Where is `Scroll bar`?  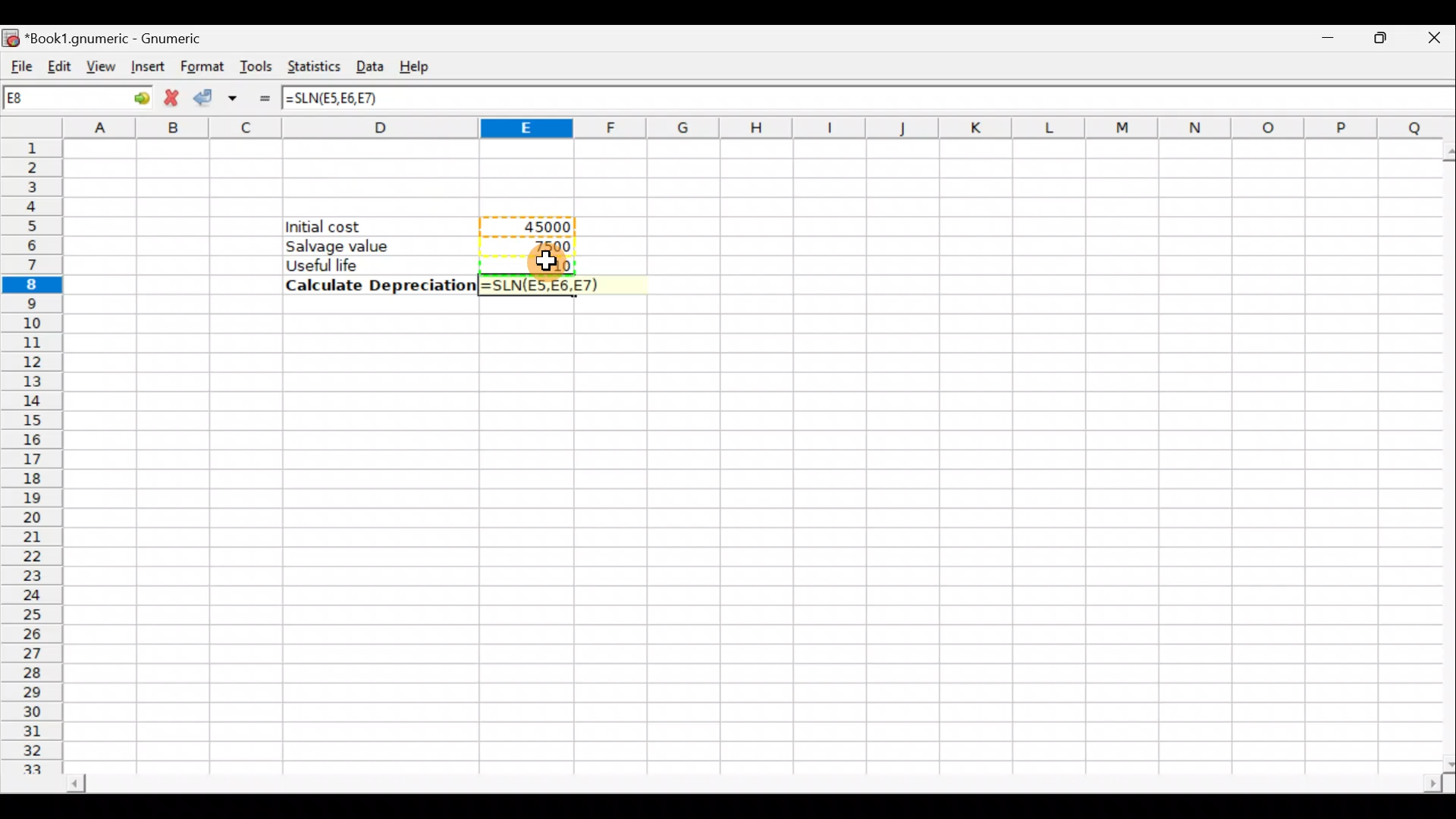
Scroll bar is located at coordinates (739, 780).